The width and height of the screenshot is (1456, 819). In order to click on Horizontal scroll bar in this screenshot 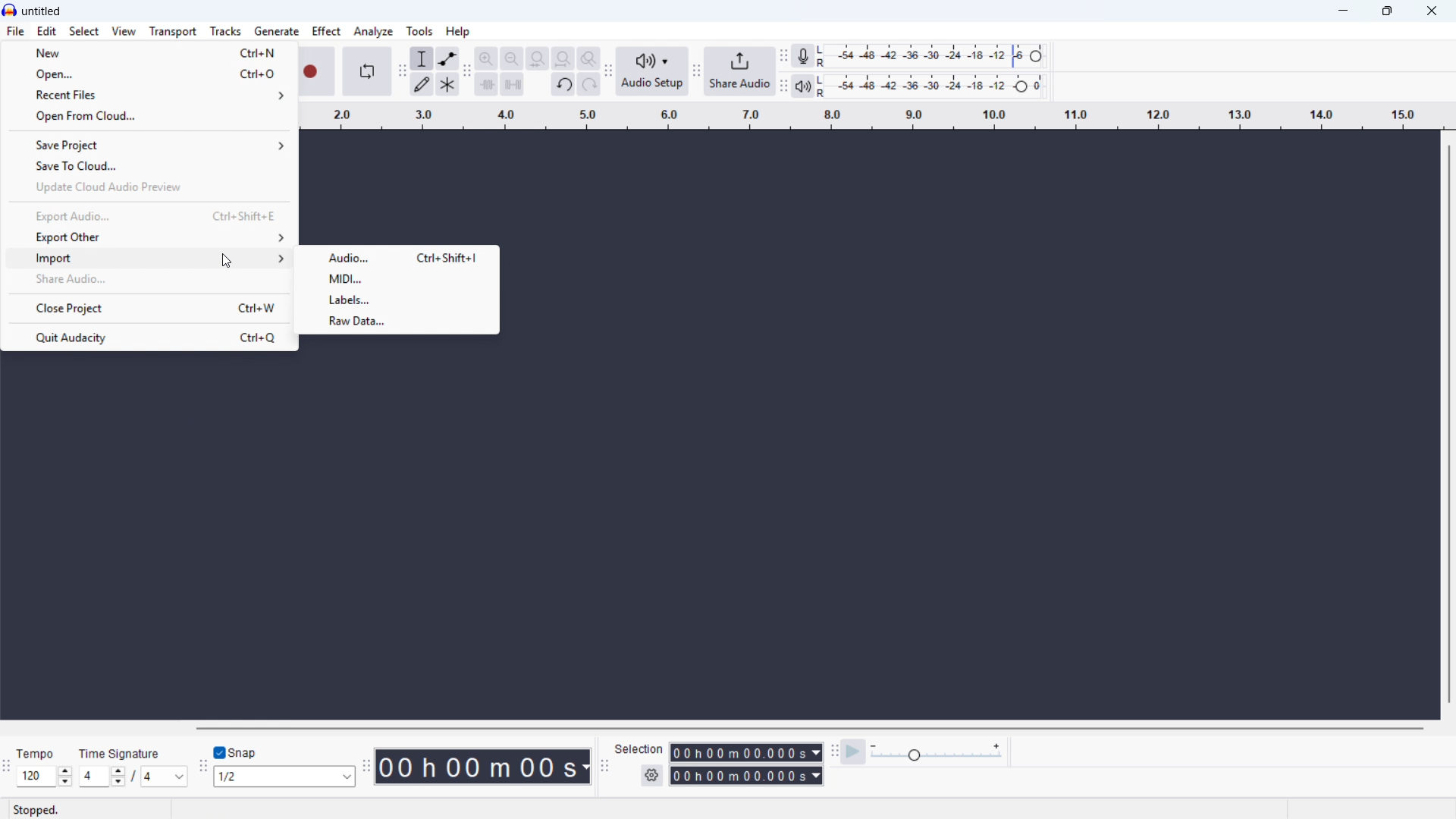, I will do `click(809, 729)`.